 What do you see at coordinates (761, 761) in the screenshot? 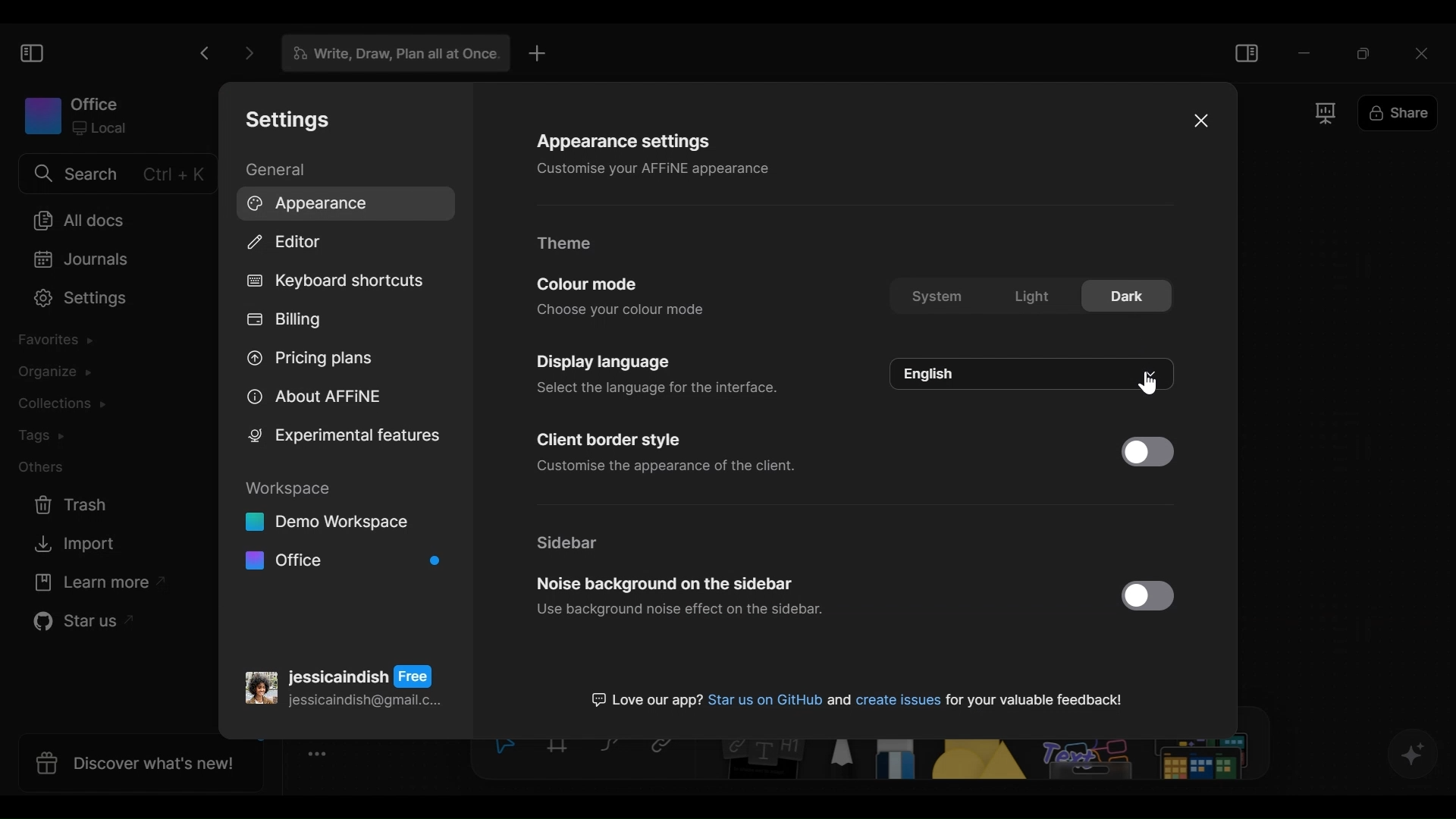
I see `Note` at bounding box center [761, 761].